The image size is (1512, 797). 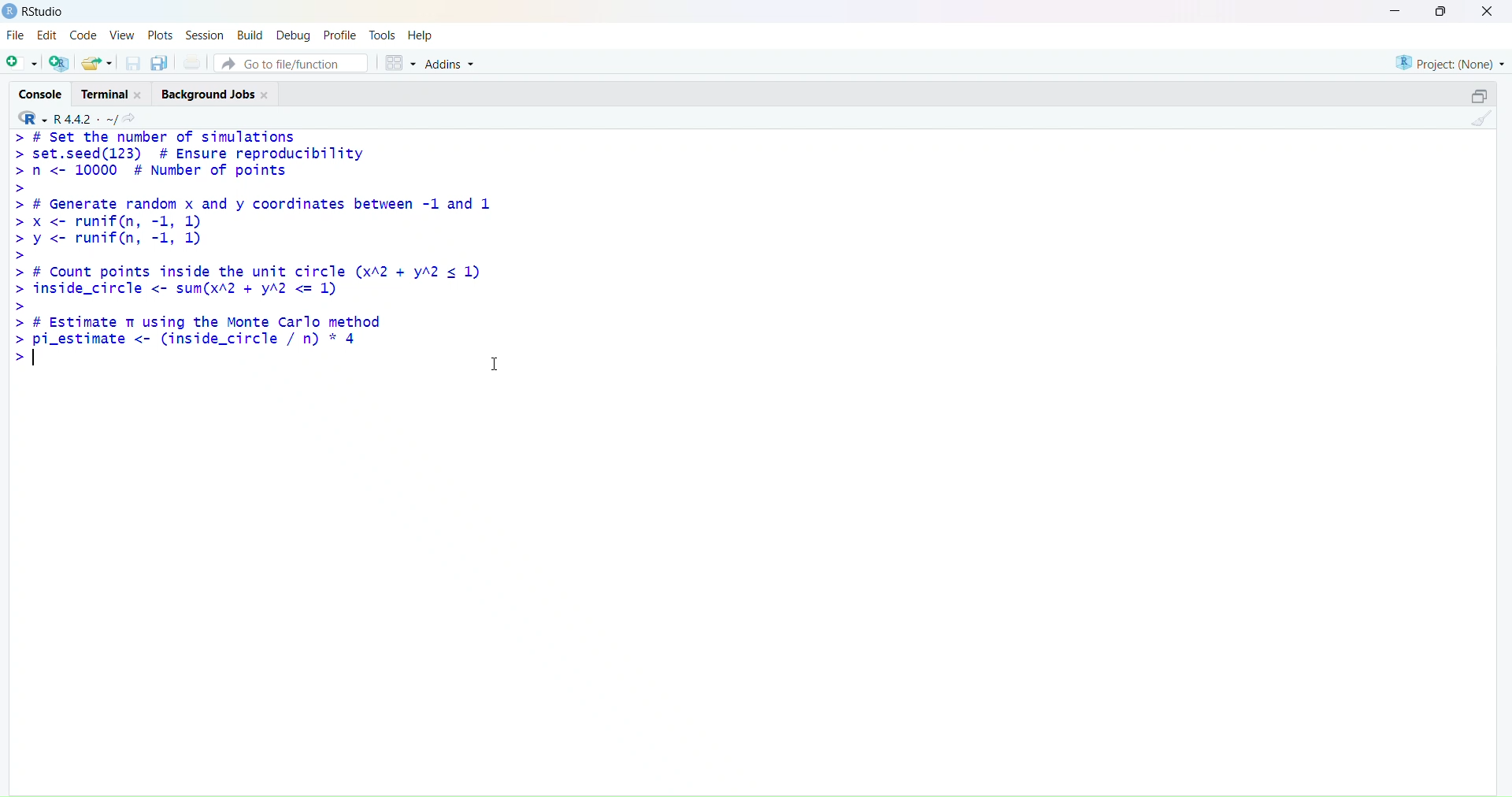 I want to click on Background Jobs, so click(x=220, y=94).